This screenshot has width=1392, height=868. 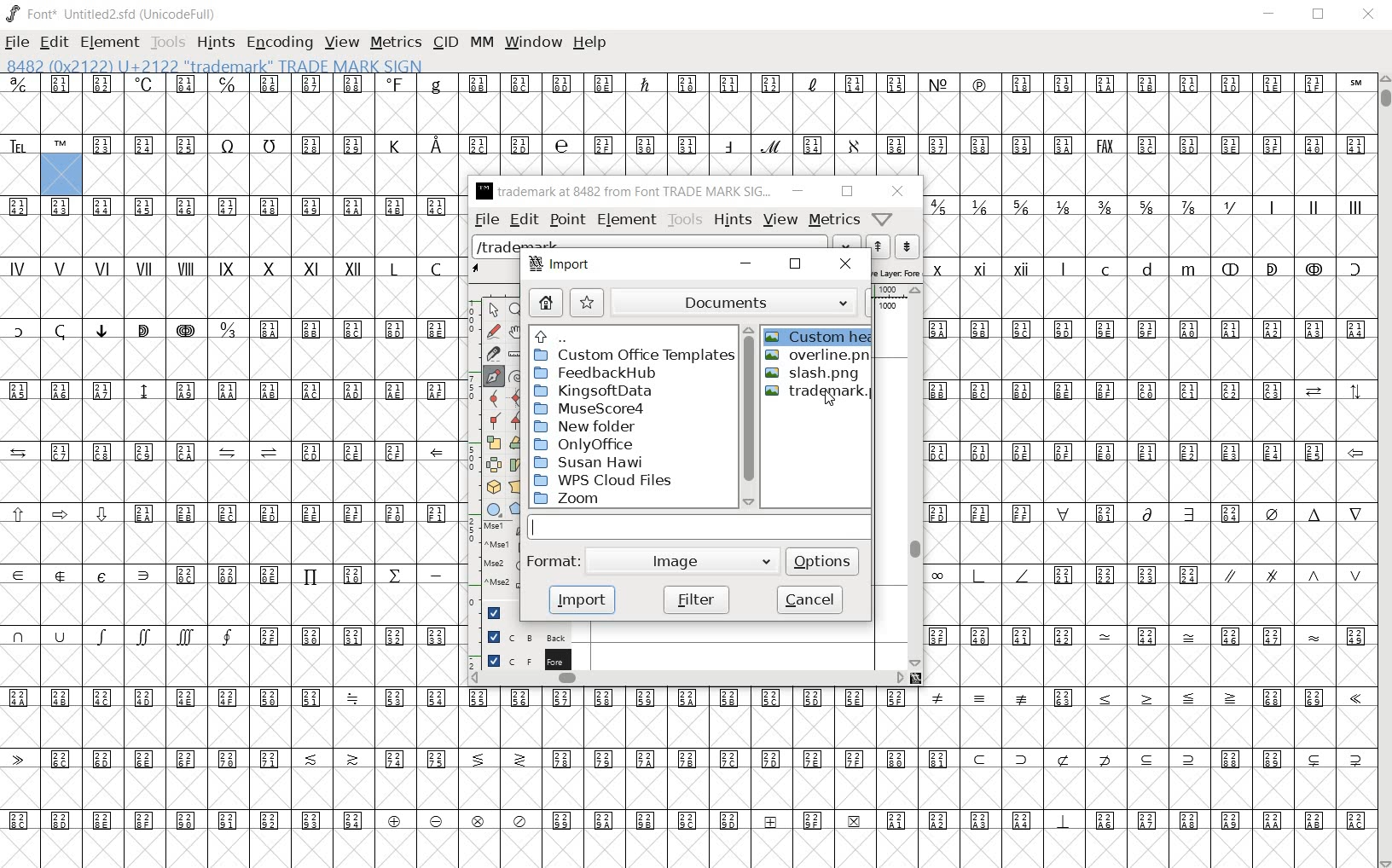 I want to click on Guide, so click(x=495, y=610).